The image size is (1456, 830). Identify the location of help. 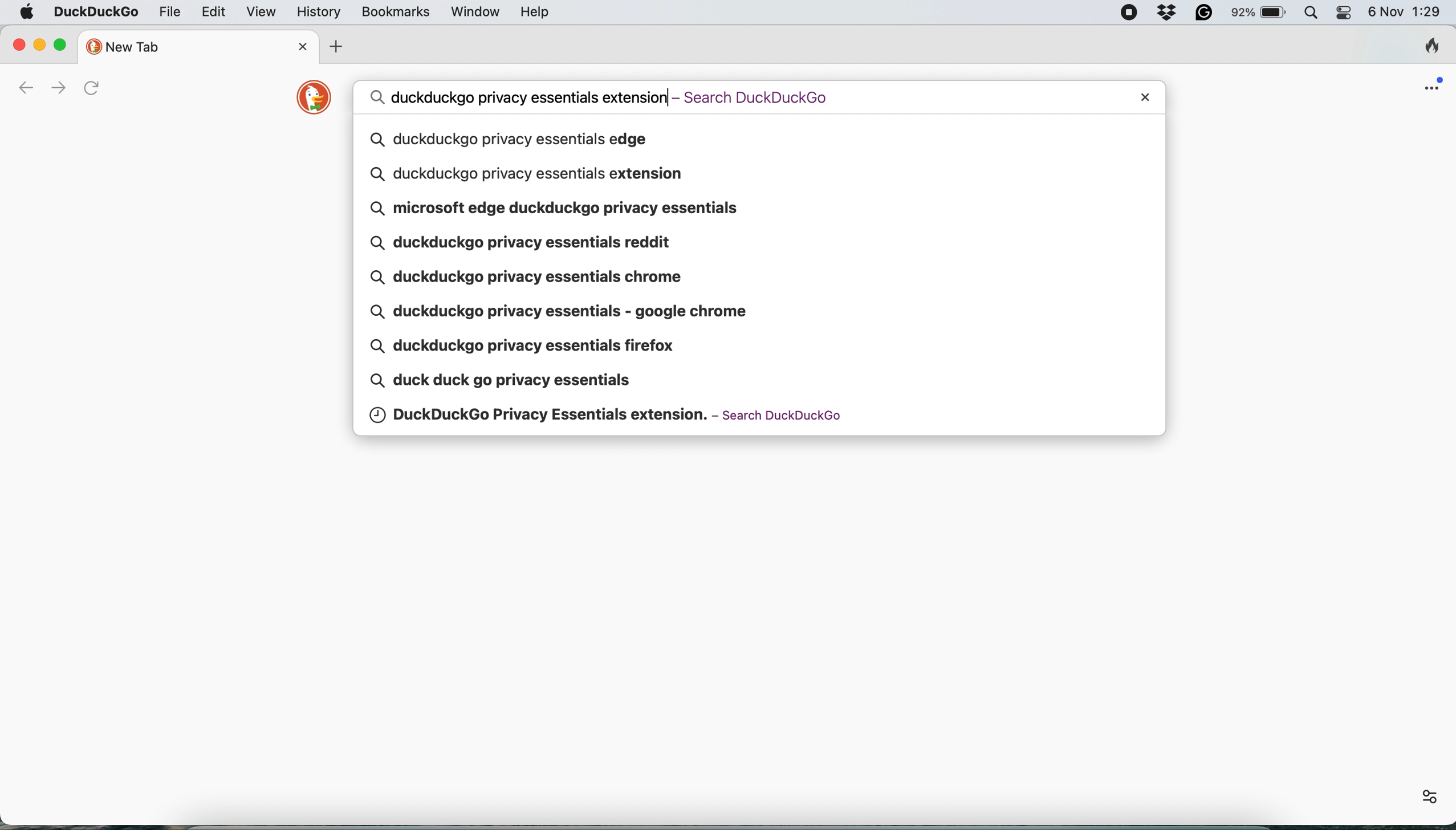
(537, 12).